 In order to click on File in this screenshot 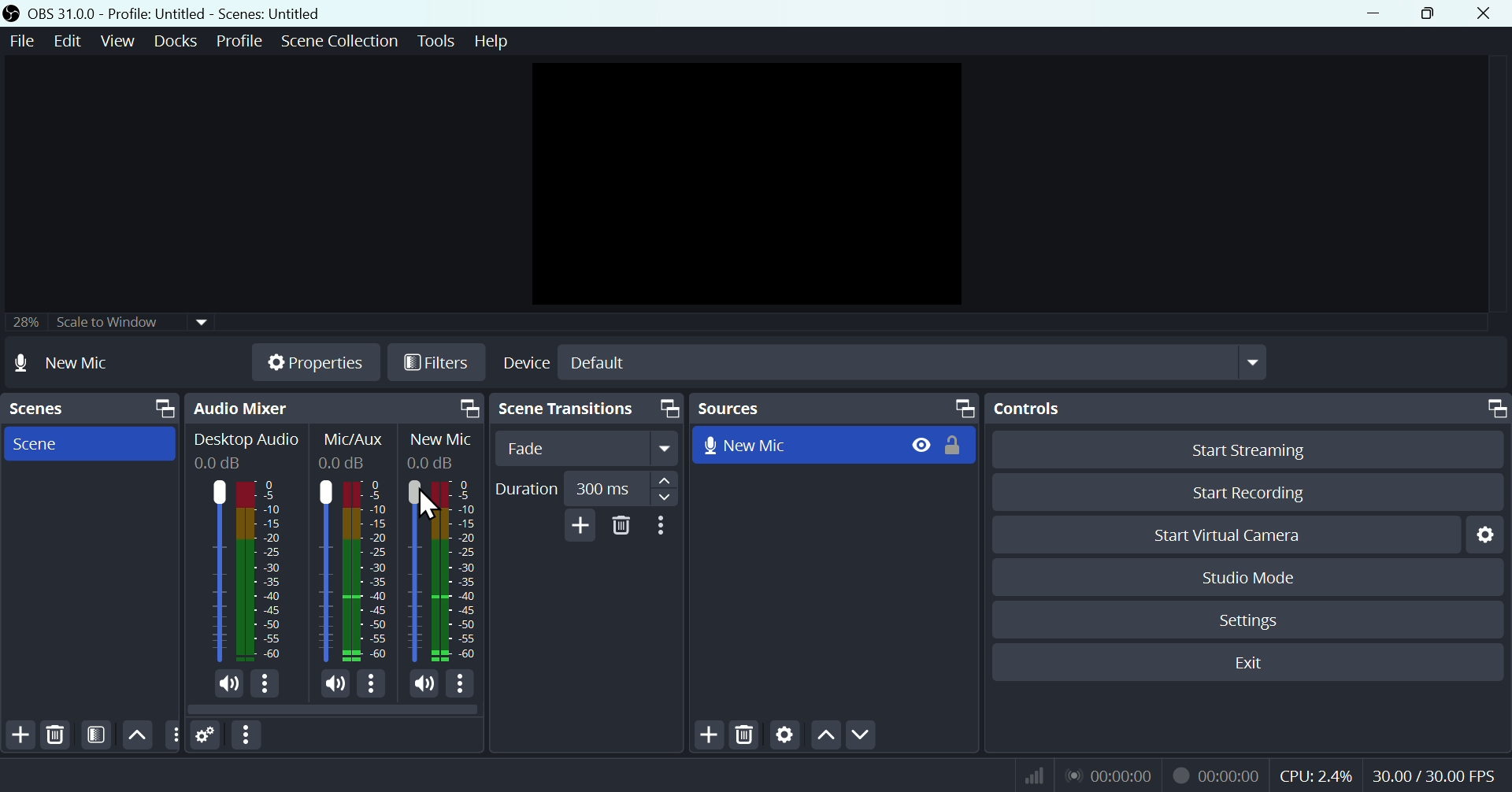, I will do `click(20, 42)`.